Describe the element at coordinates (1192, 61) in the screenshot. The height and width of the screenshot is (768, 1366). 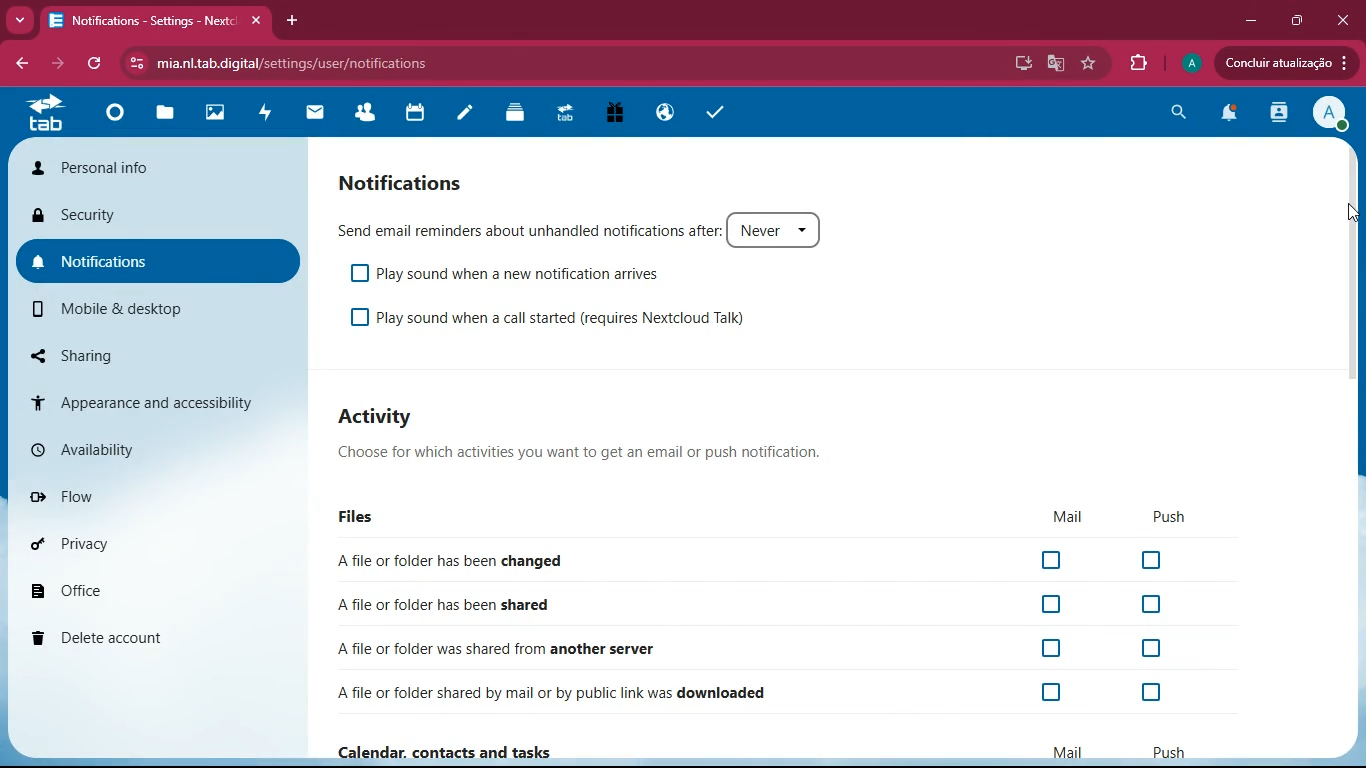
I see `Profile` at that location.